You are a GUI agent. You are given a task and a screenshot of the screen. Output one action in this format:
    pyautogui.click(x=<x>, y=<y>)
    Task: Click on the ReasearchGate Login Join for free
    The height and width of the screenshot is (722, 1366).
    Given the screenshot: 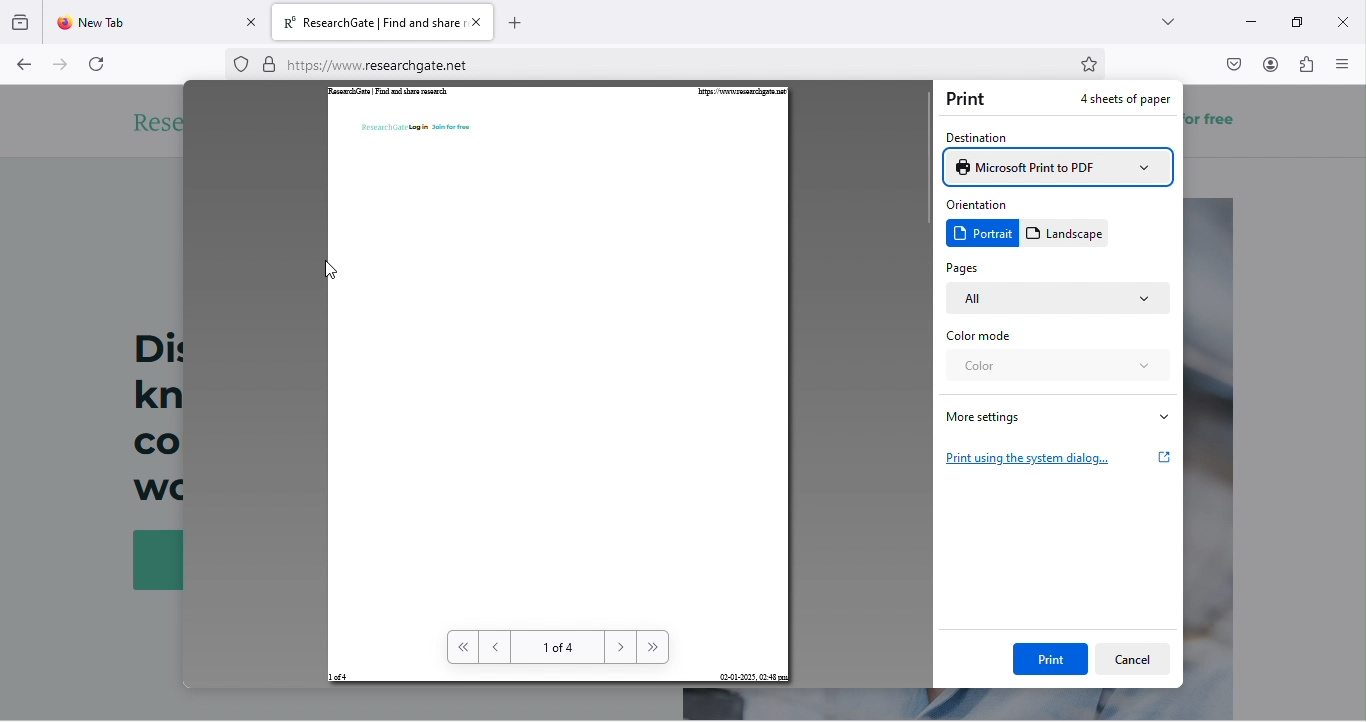 What is the action you would take?
    pyautogui.click(x=417, y=129)
    